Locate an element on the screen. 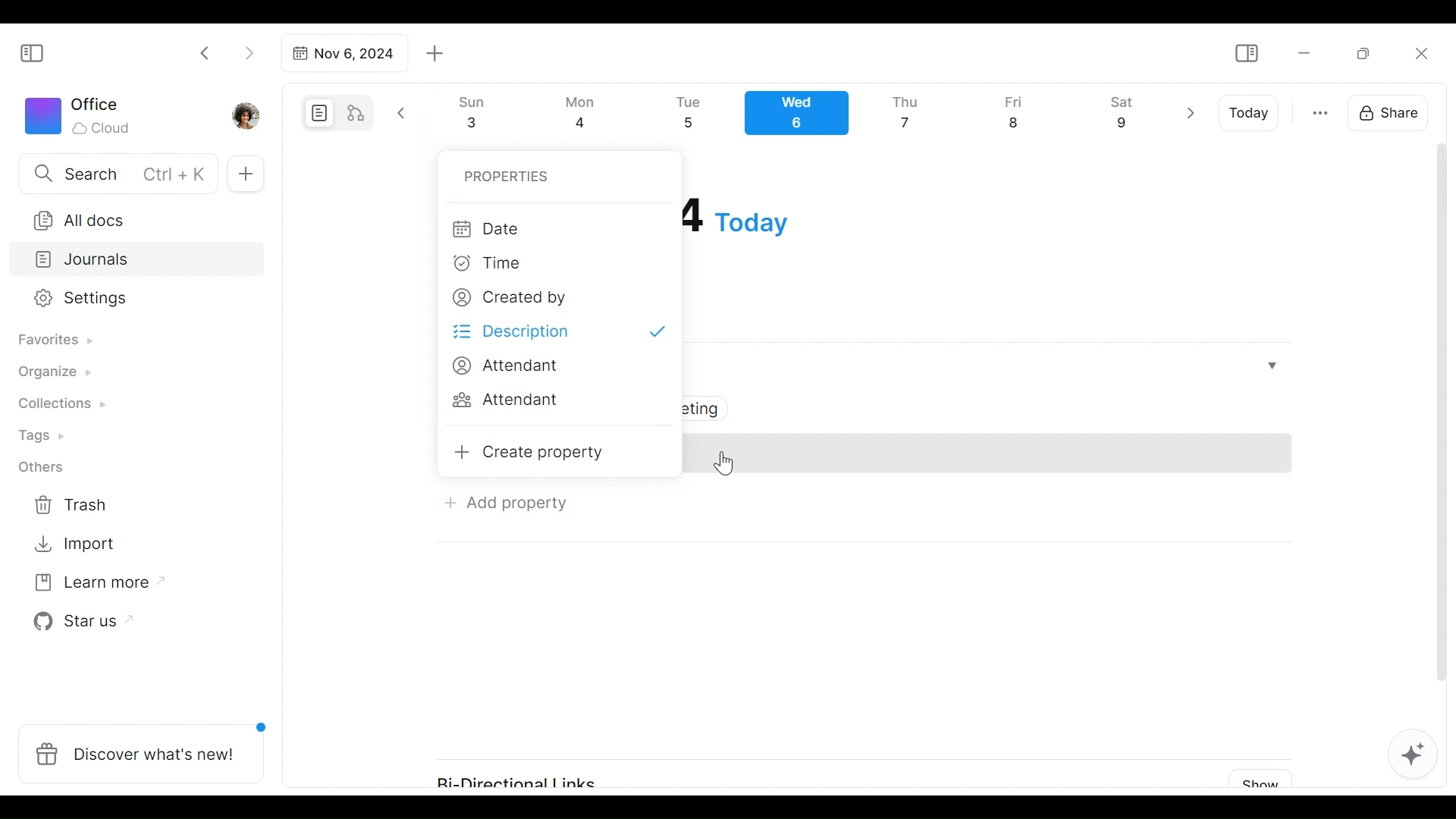  Learn more is located at coordinates (92, 585).